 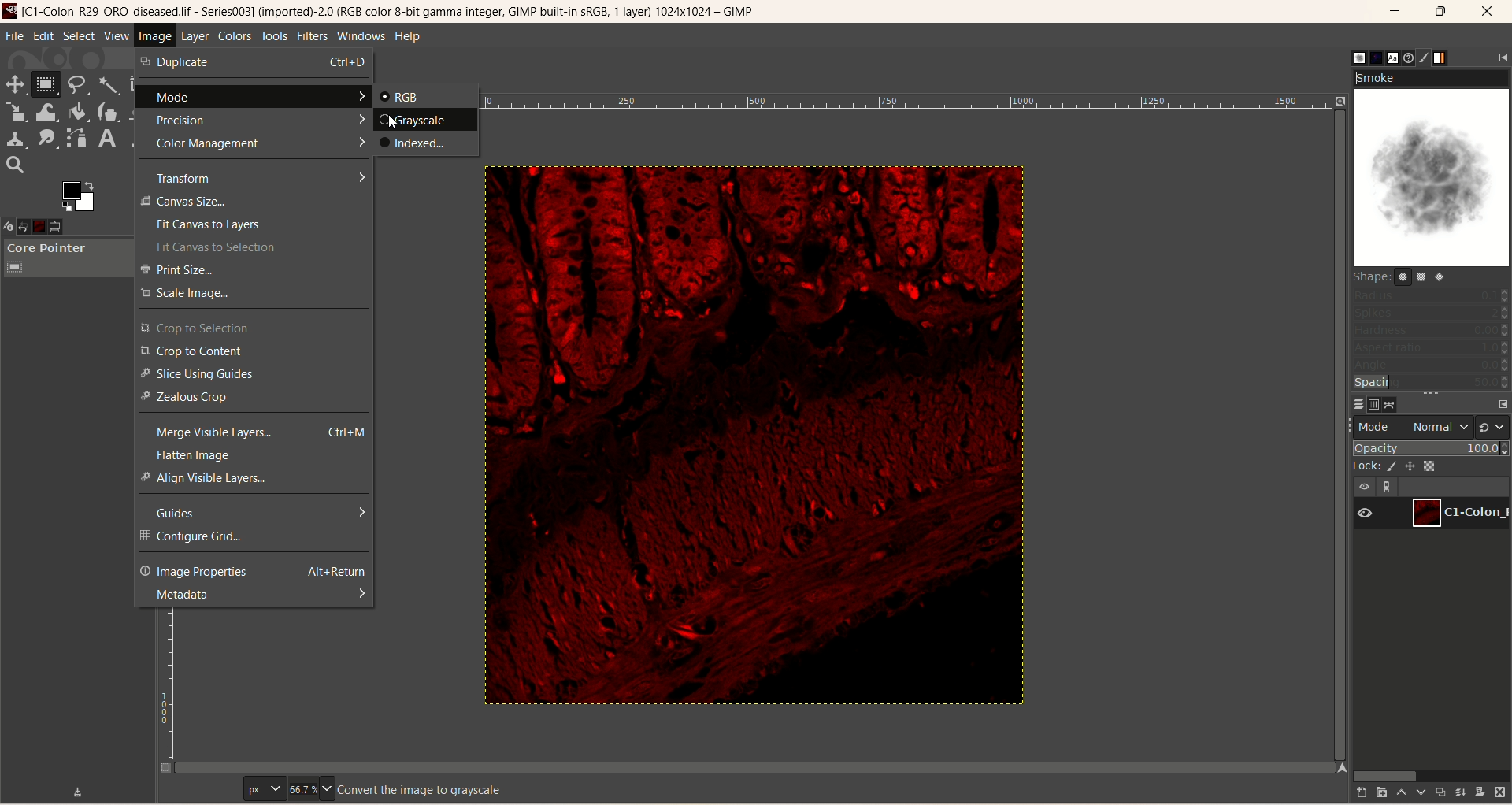 What do you see at coordinates (425, 791) in the screenshot?
I see `convert the image to grayscale` at bounding box center [425, 791].